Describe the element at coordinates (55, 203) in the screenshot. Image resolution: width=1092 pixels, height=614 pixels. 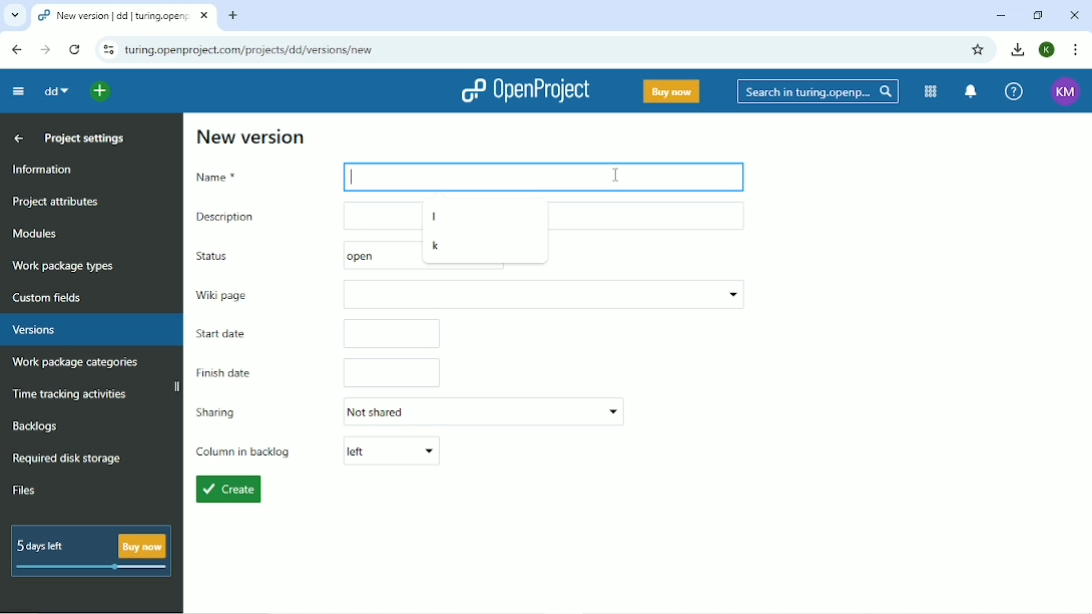
I see `Project attributes` at that location.